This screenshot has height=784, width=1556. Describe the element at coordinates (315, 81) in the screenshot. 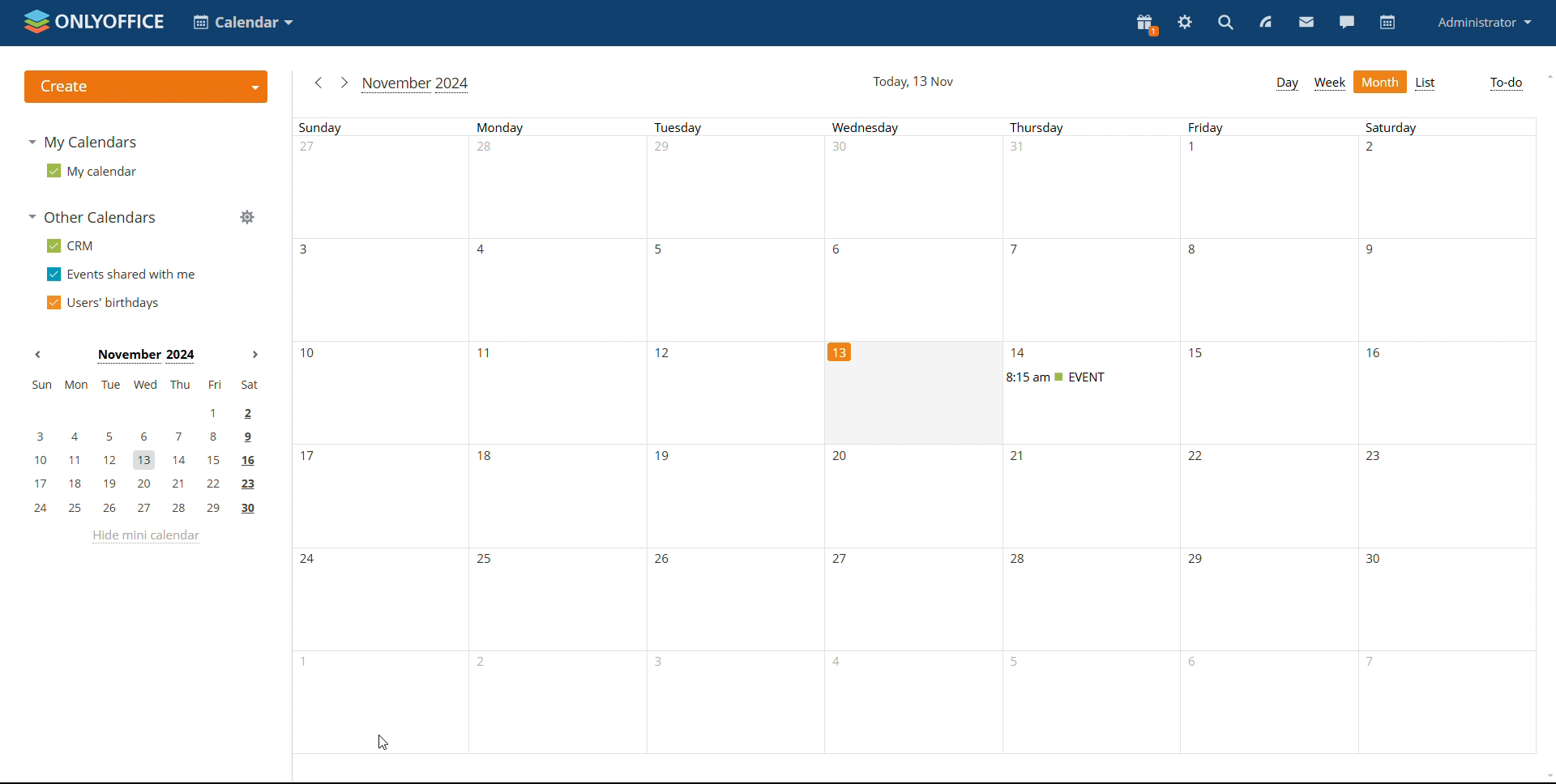

I see `previous month` at that location.